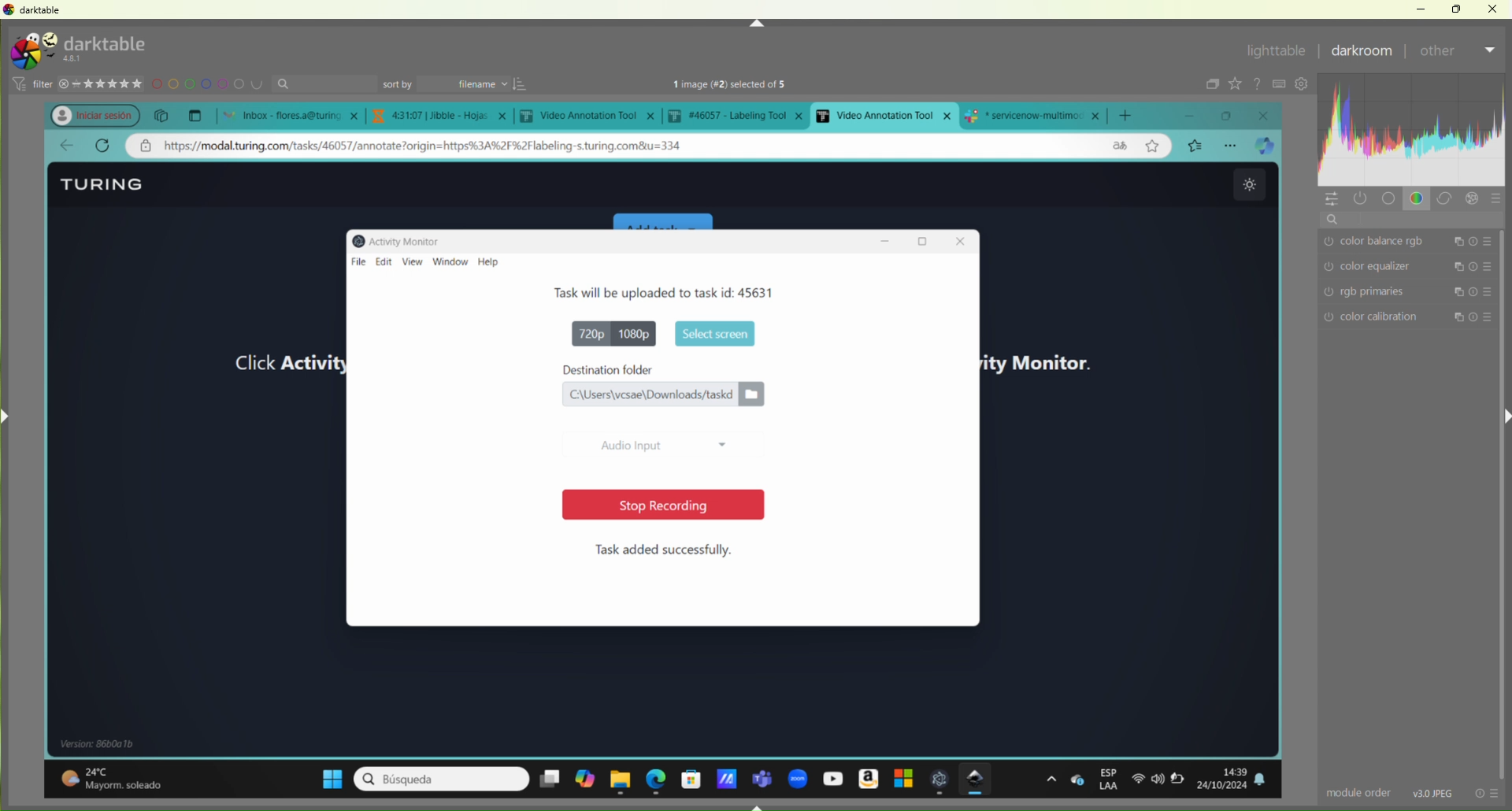 Image resolution: width=1512 pixels, height=811 pixels. Describe the element at coordinates (756, 23) in the screenshot. I see `Up` at that location.